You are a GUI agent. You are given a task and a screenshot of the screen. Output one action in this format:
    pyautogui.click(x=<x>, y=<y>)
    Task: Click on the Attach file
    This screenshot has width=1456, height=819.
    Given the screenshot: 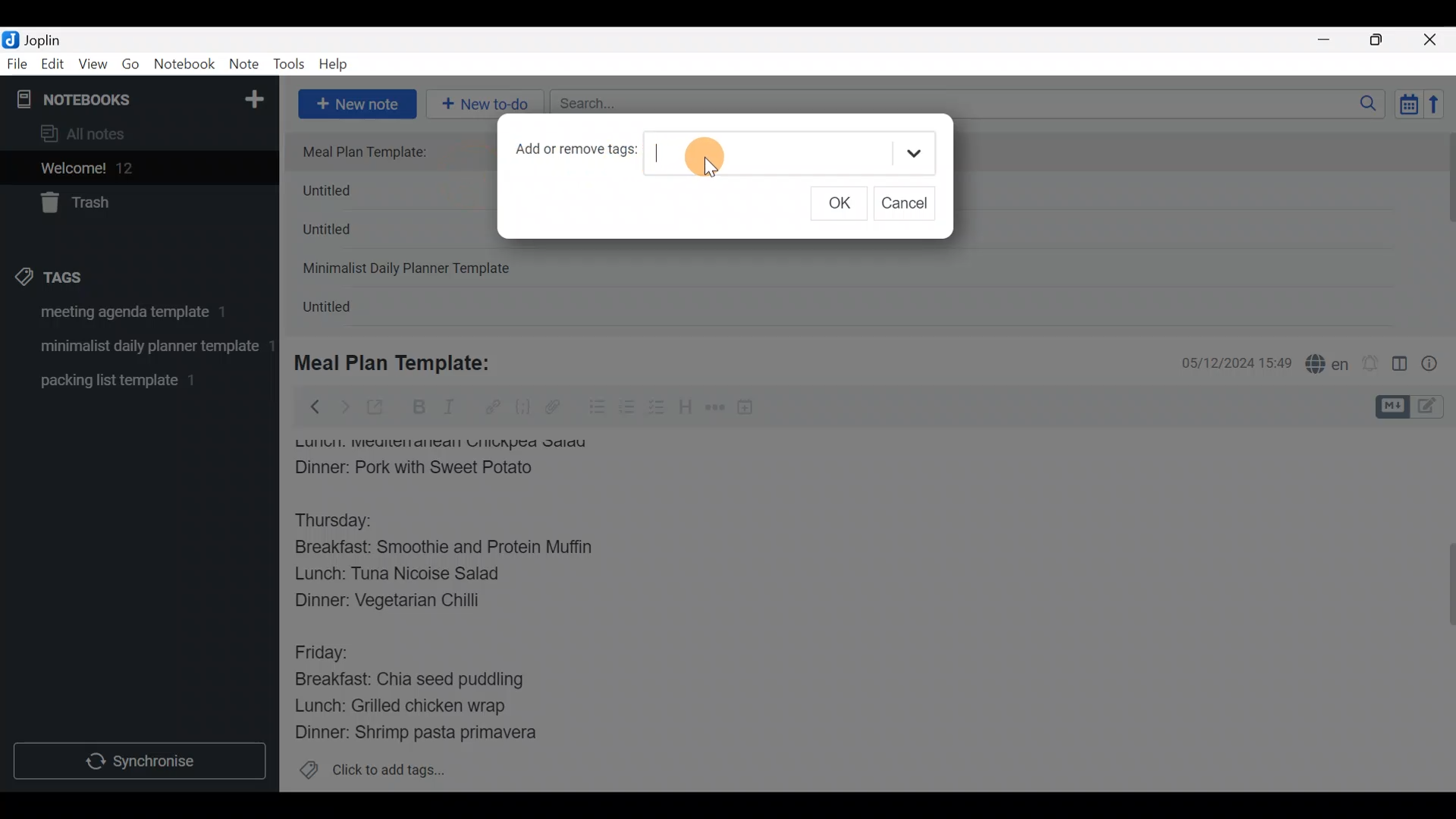 What is the action you would take?
    pyautogui.click(x=557, y=409)
    